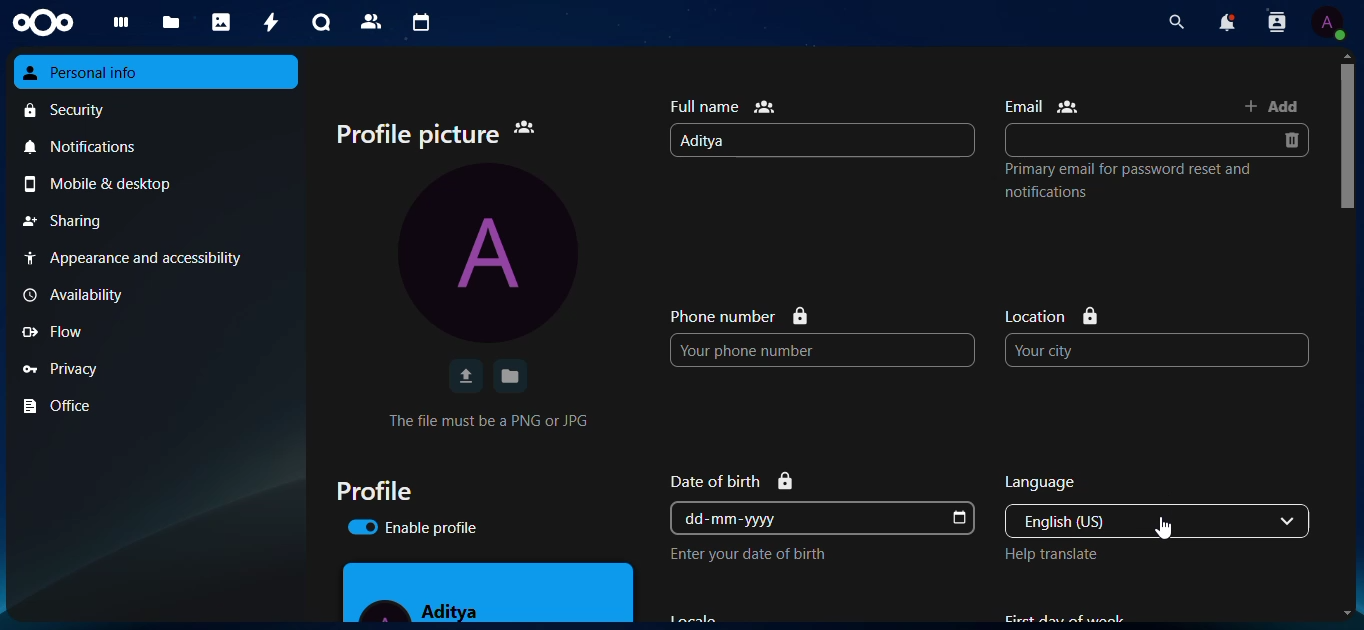  What do you see at coordinates (740, 518) in the screenshot?
I see `ddmmyyyy` at bounding box center [740, 518].